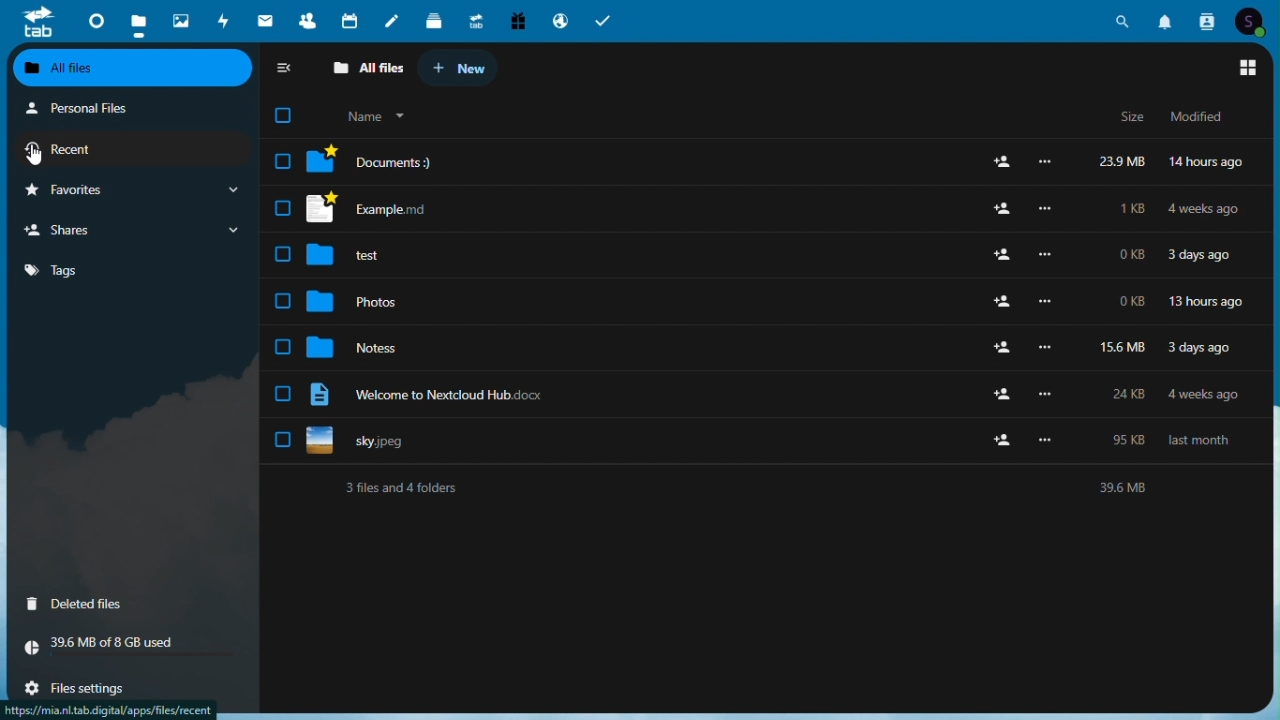  What do you see at coordinates (1119, 164) in the screenshot?
I see `23.9 MB` at bounding box center [1119, 164].